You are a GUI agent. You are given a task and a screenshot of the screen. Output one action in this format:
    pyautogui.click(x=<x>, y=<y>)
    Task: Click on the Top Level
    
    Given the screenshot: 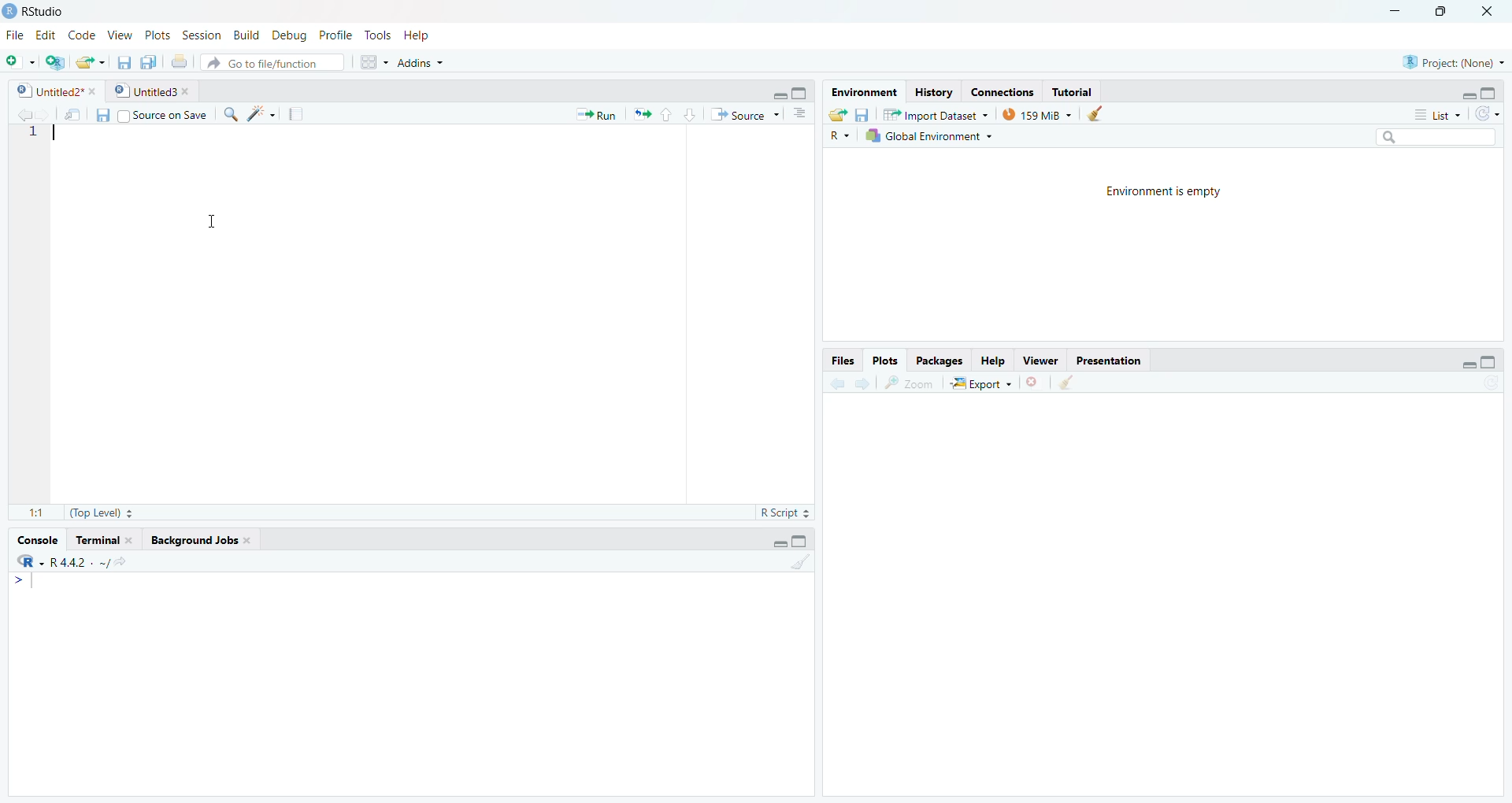 What is the action you would take?
    pyautogui.click(x=102, y=512)
    